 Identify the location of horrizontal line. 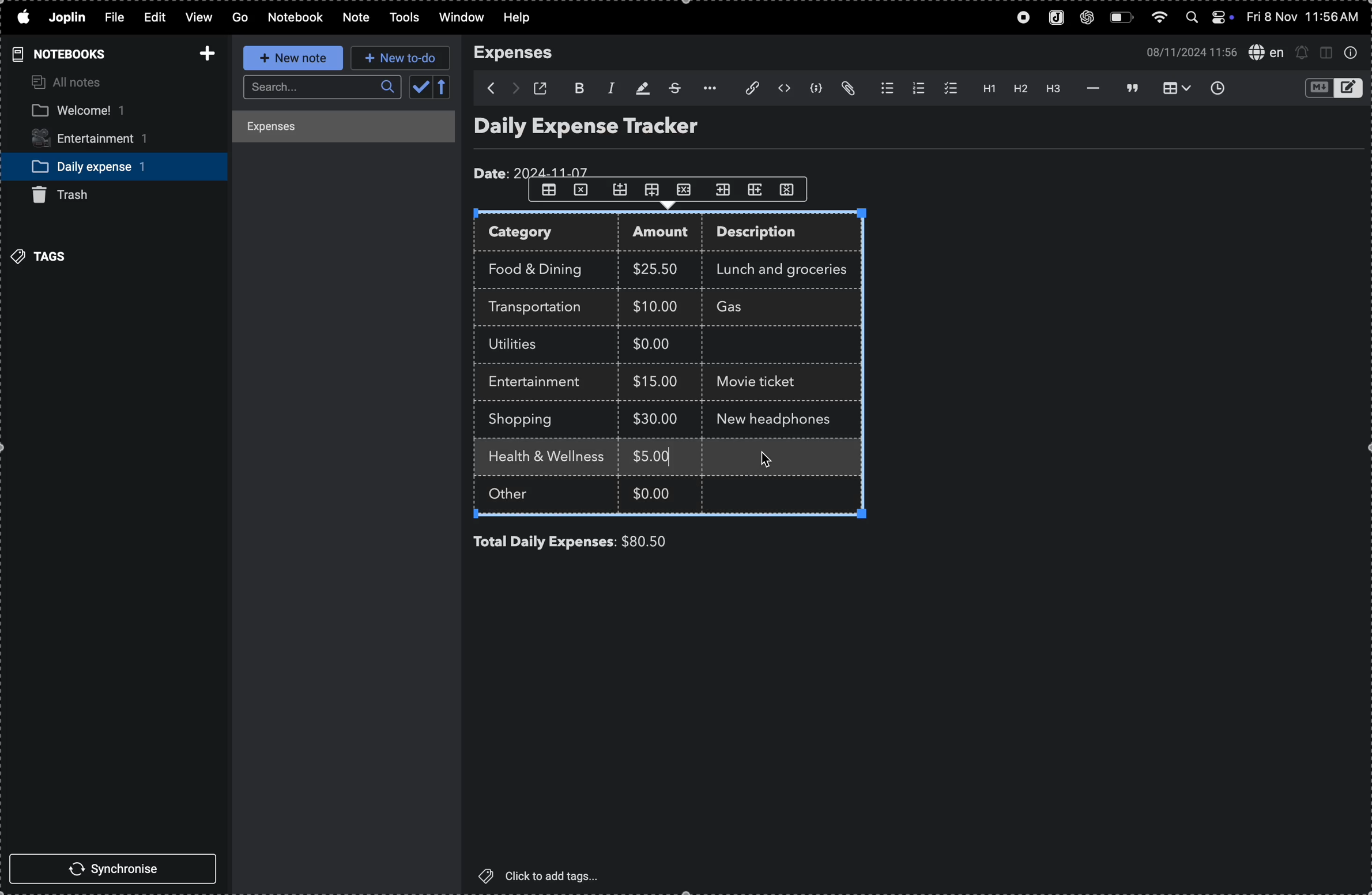
(1090, 88).